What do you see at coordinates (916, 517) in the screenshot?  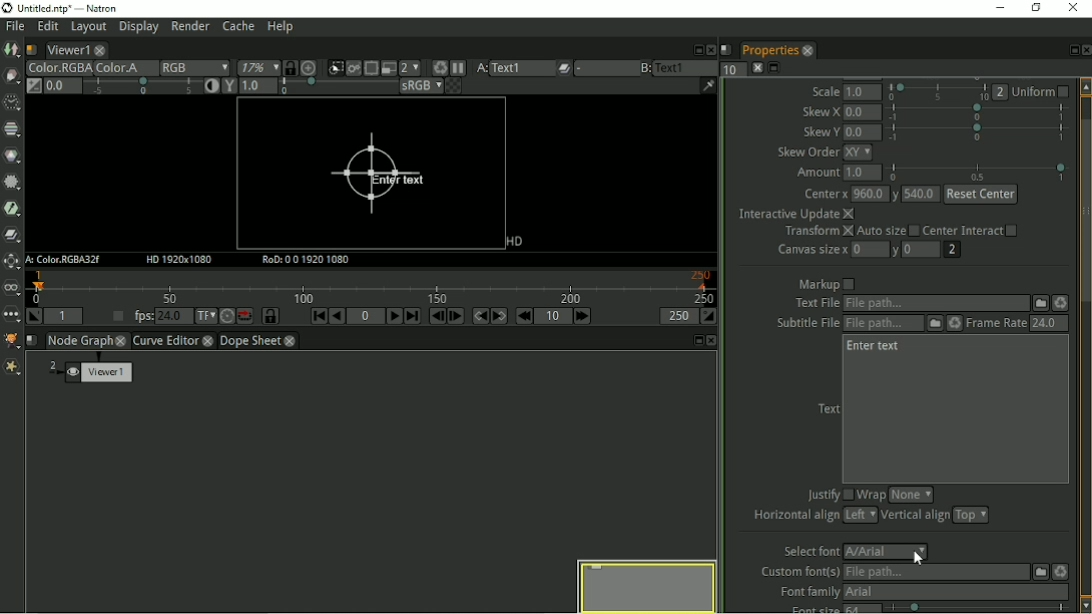 I see `Vertical align` at bounding box center [916, 517].